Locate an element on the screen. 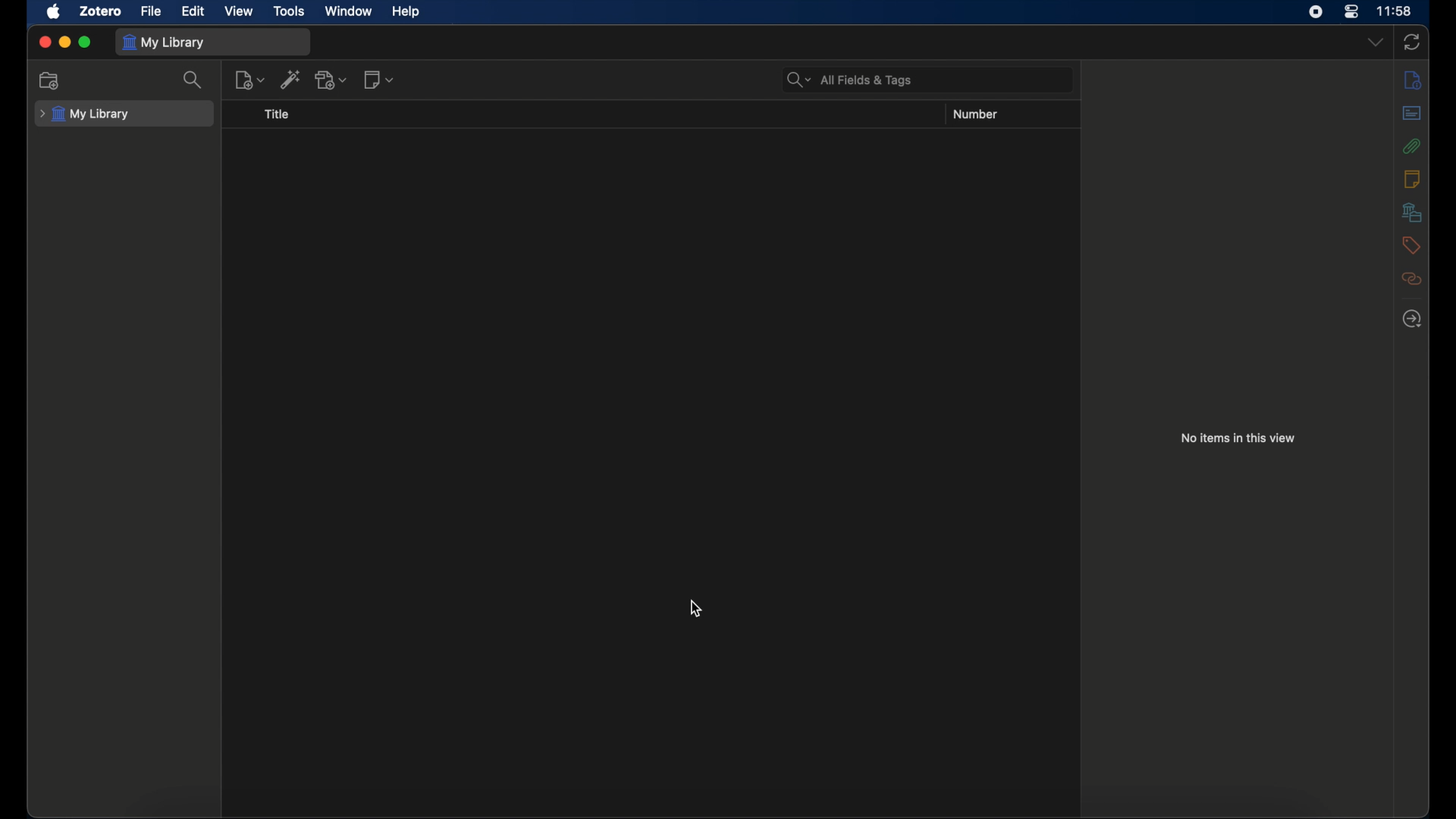 This screenshot has width=1456, height=819. edit is located at coordinates (195, 11).